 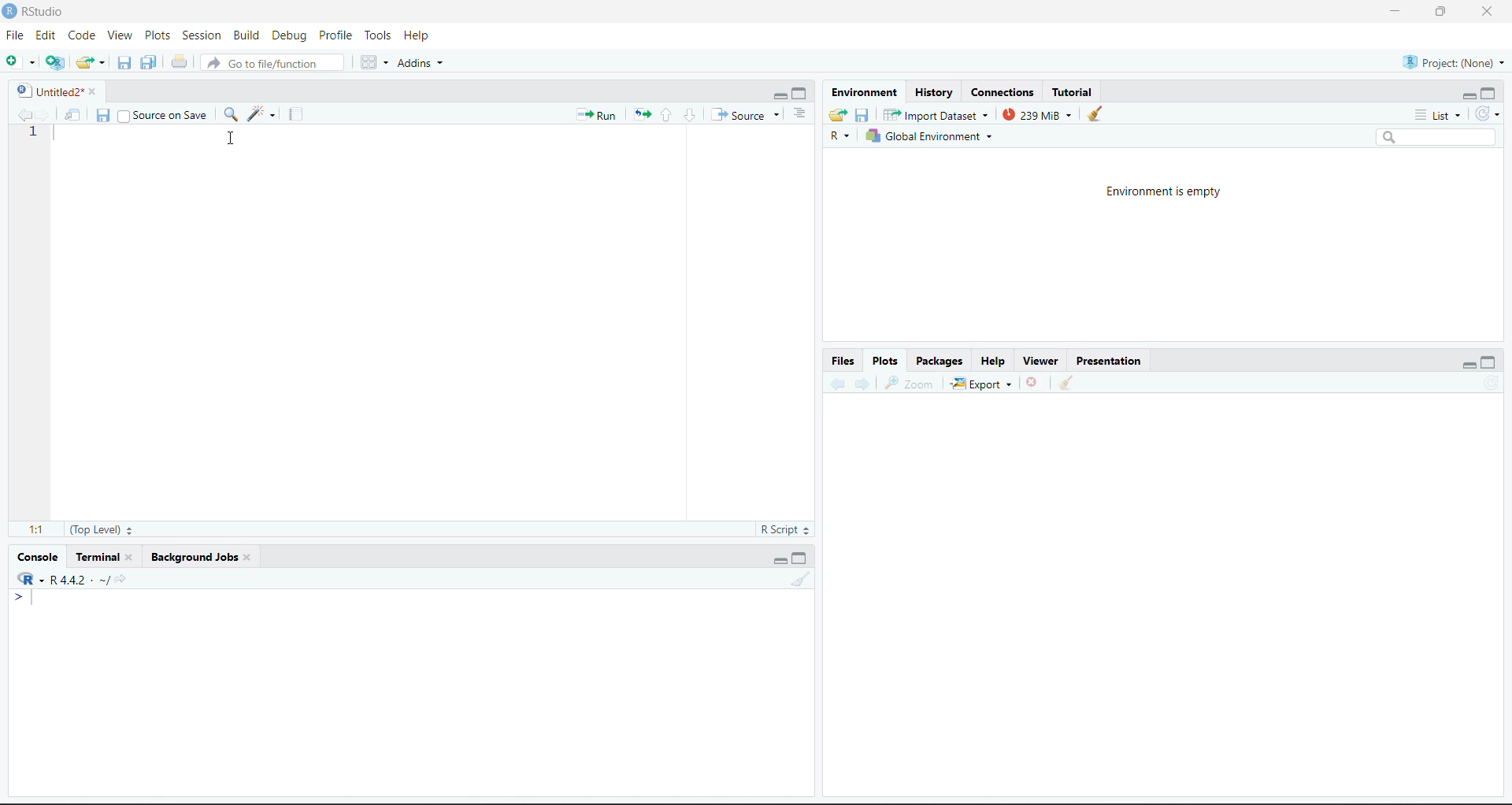 What do you see at coordinates (165, 114) in the screenshot?
I see `Source on Save` at bounding box center [165, 114].